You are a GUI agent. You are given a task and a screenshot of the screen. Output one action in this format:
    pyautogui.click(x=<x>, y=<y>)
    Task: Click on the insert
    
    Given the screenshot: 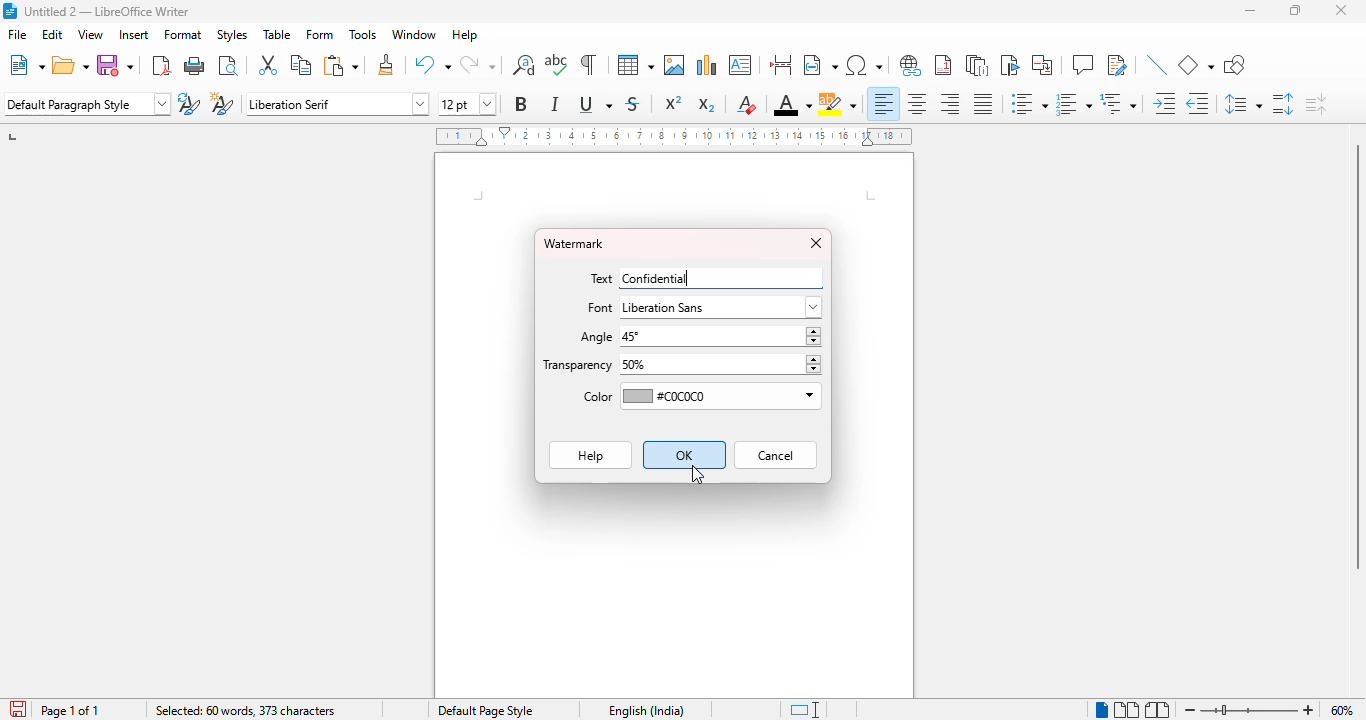 What is the action you would take?
    pyautogui.click(x=134, y=34)
    